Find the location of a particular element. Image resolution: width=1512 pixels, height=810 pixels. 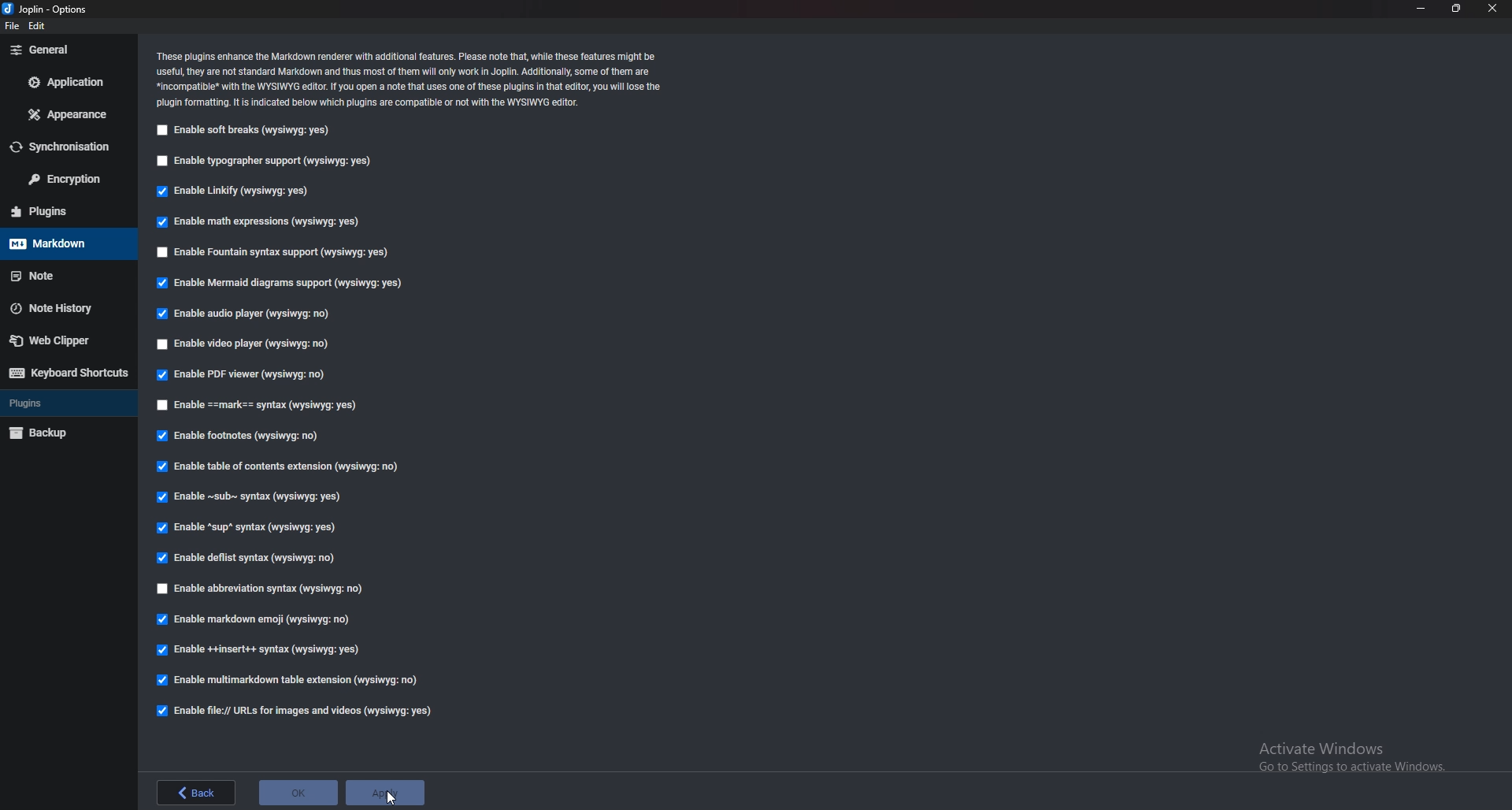

Enable footnotes is located at coordinates (243, 437).